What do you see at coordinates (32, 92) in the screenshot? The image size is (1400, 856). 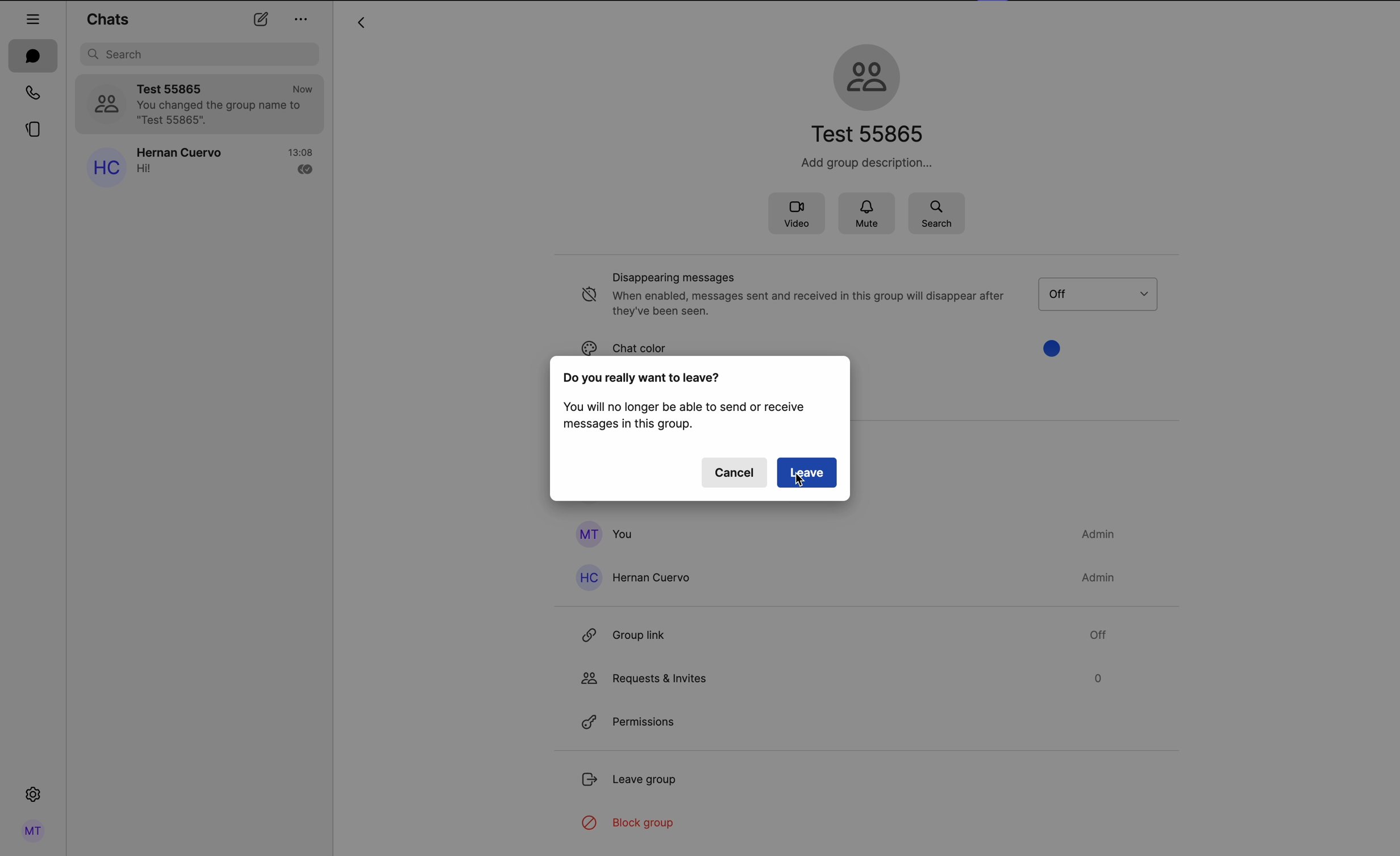 I see `calls` at bounding box center [32, 92].